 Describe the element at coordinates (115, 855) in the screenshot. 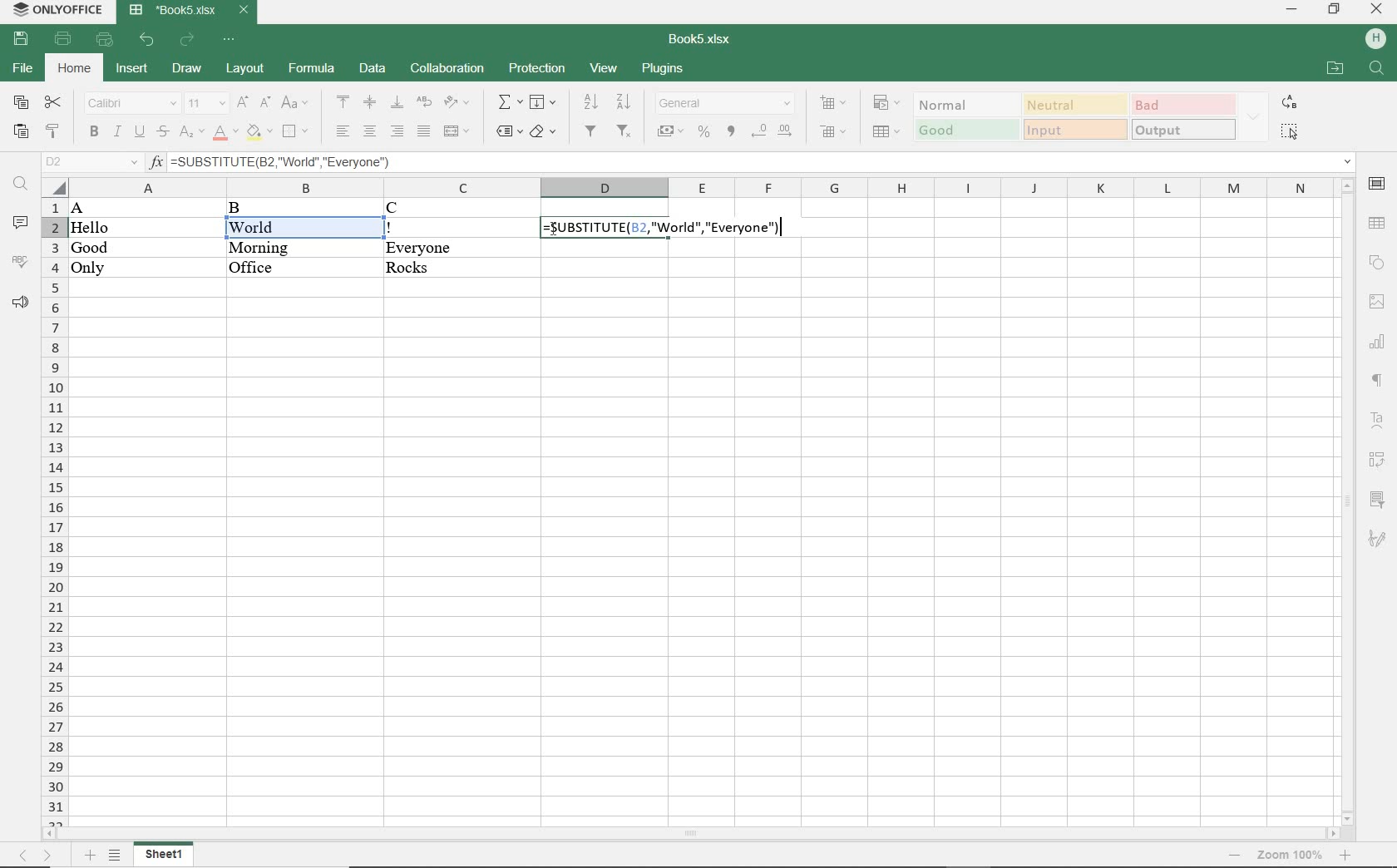

I see `list sheets` at that location.